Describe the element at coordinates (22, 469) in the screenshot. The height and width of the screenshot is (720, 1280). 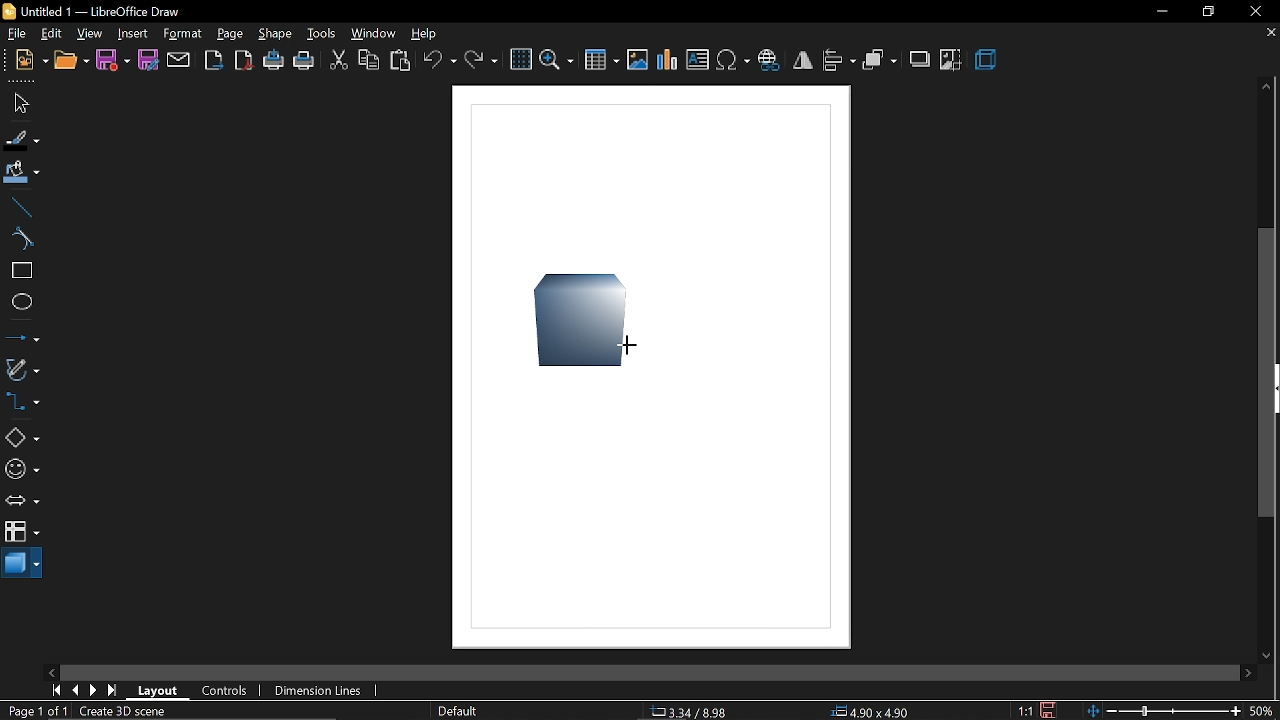
I see `symbol shapes` at that location.